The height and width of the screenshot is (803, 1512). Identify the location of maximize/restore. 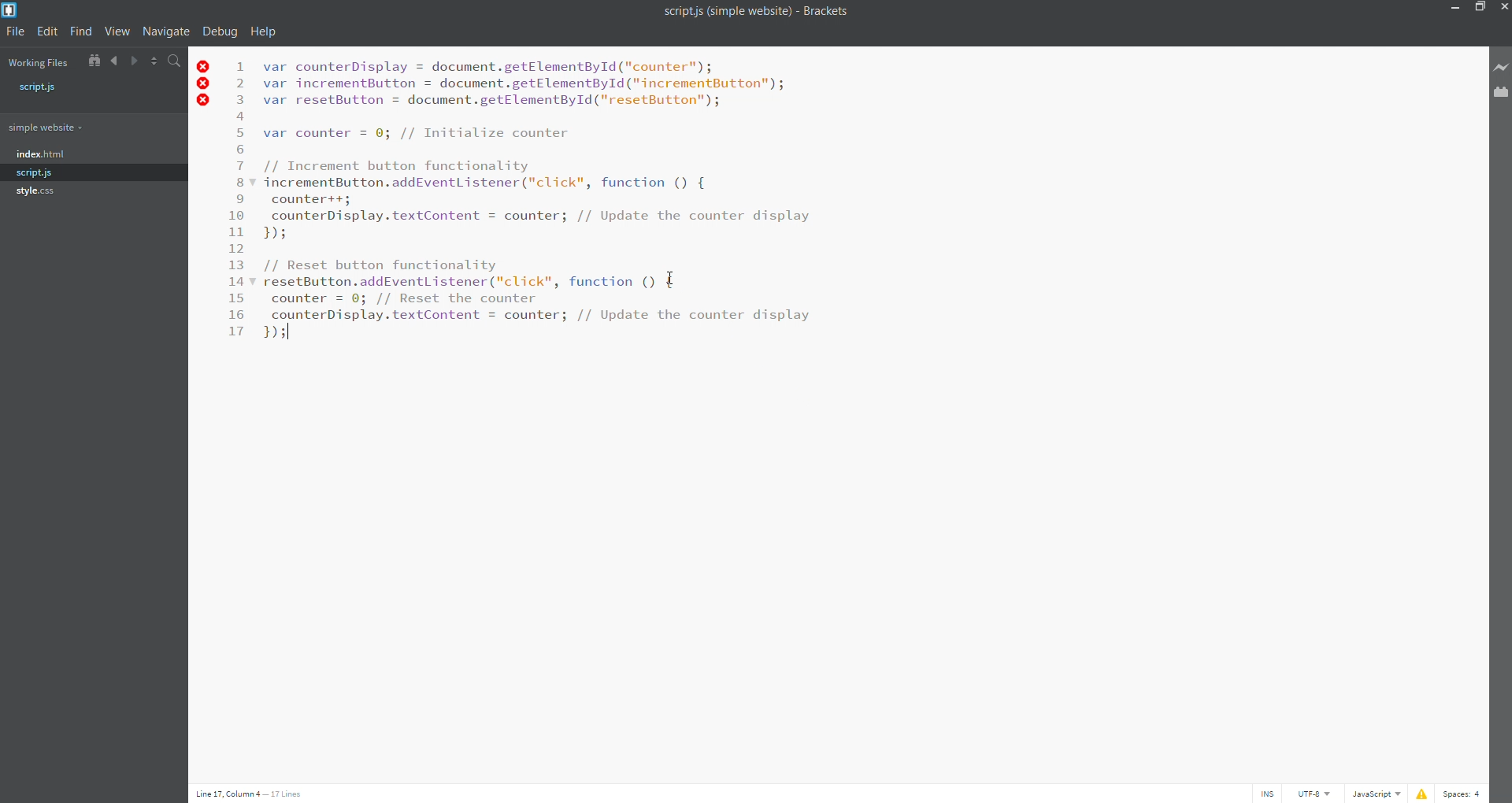
(1480, 7).